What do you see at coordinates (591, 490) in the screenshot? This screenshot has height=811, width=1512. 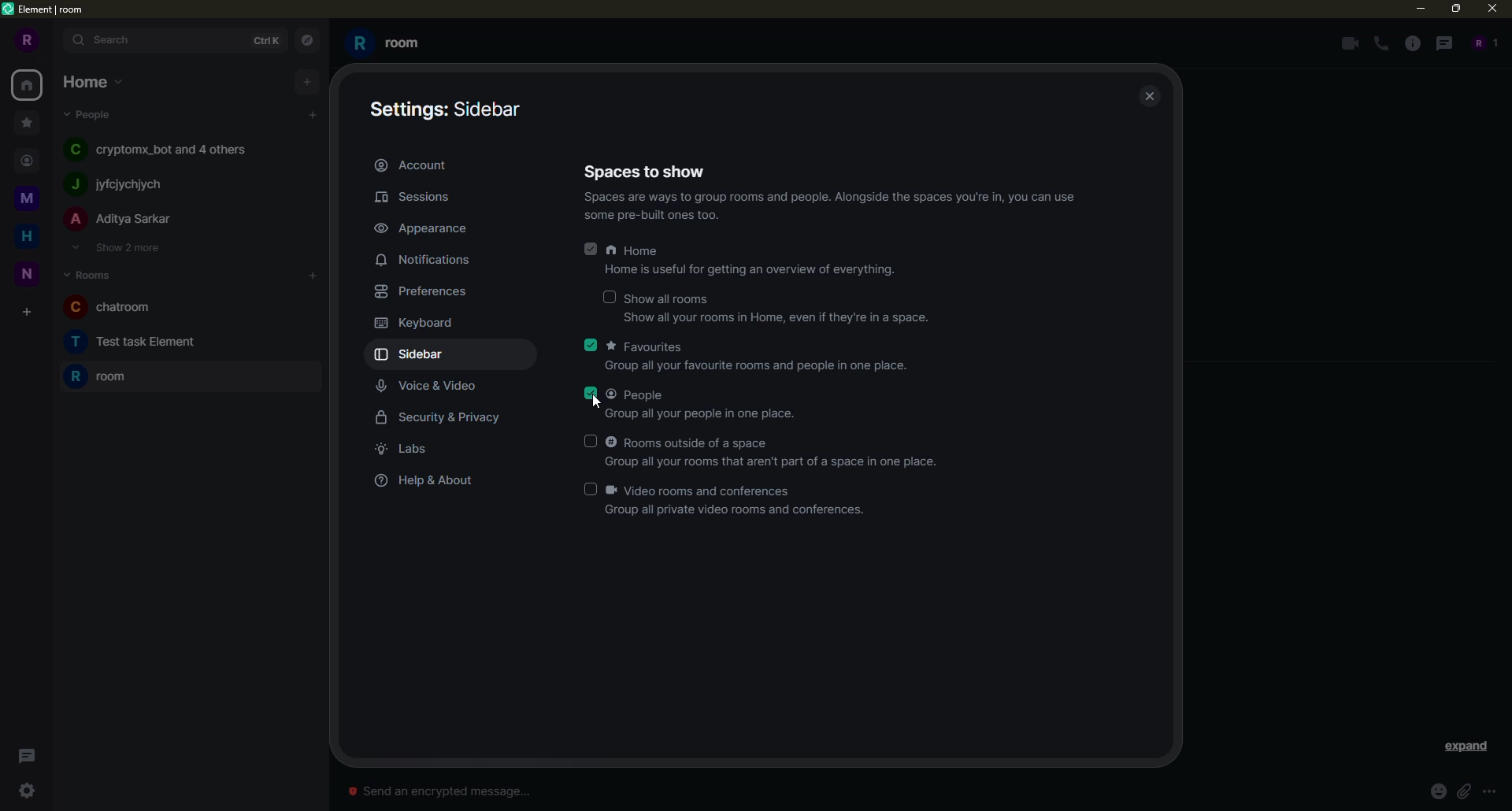 I see `select` at bounding box center [591, 490].